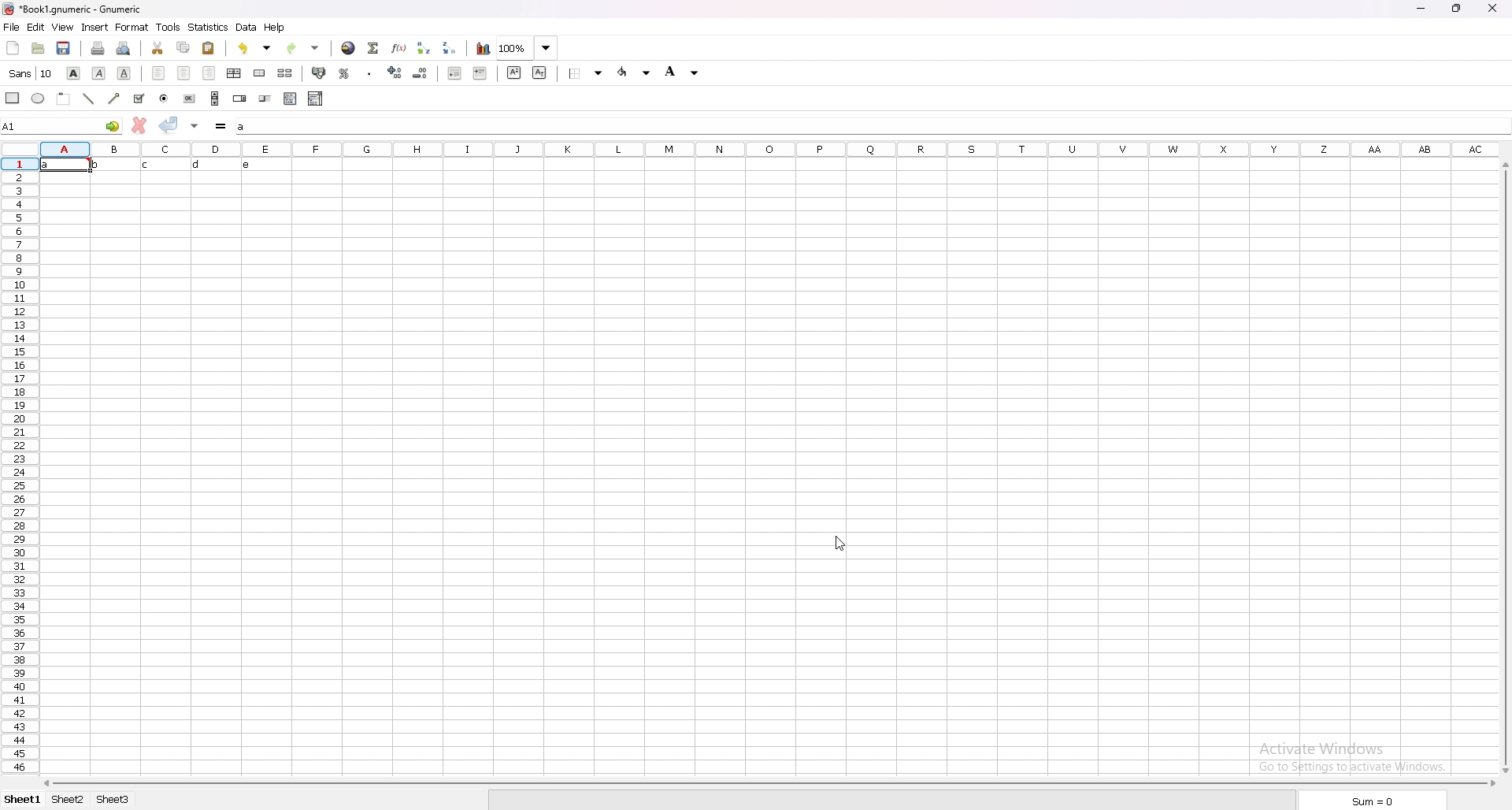  Describe the element at coordinates (69, 800) in the screenshot. I see `sheet2` at that location.